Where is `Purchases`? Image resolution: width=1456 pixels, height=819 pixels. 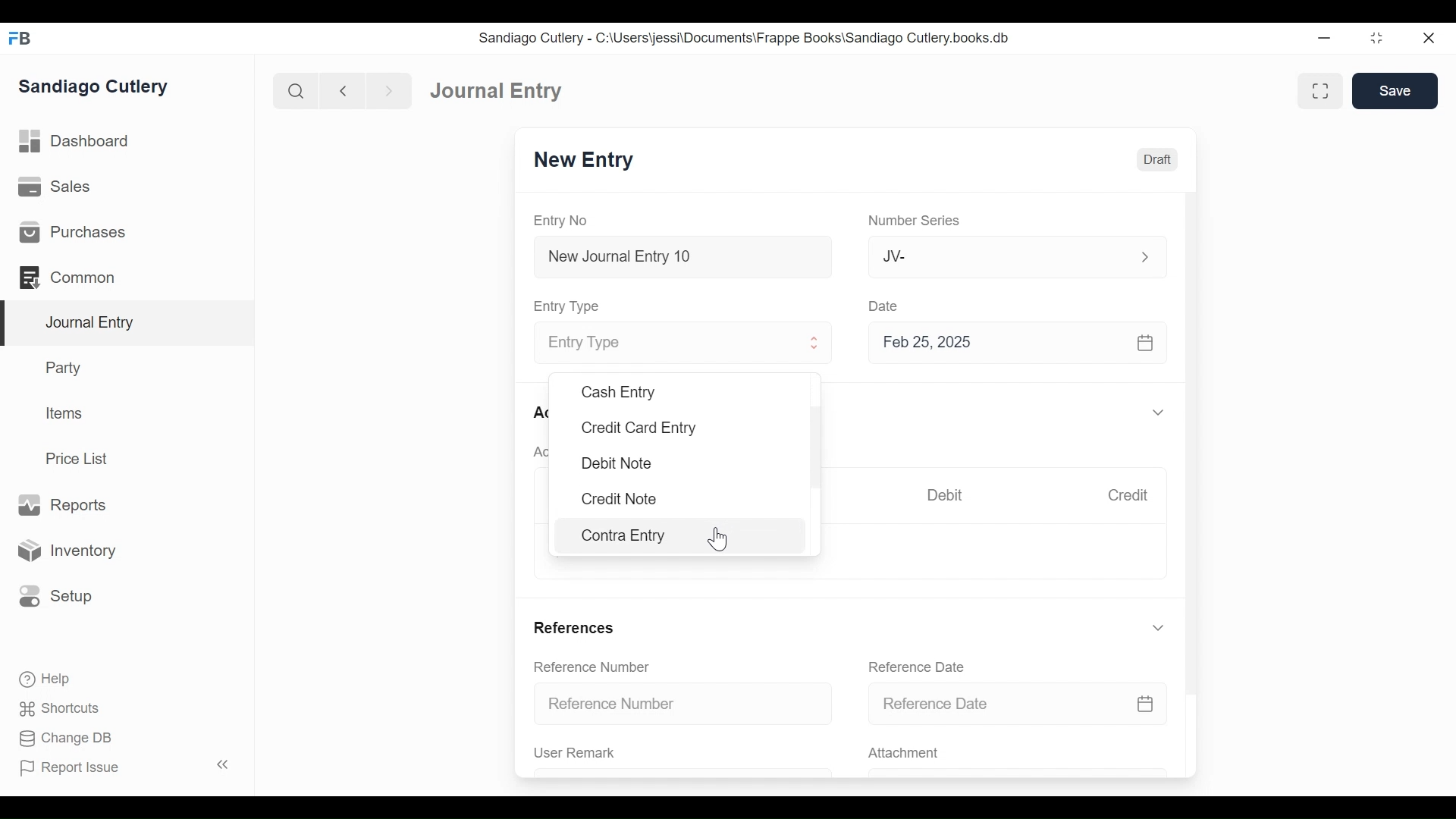
Purchases is located at coordinates (73, 233).